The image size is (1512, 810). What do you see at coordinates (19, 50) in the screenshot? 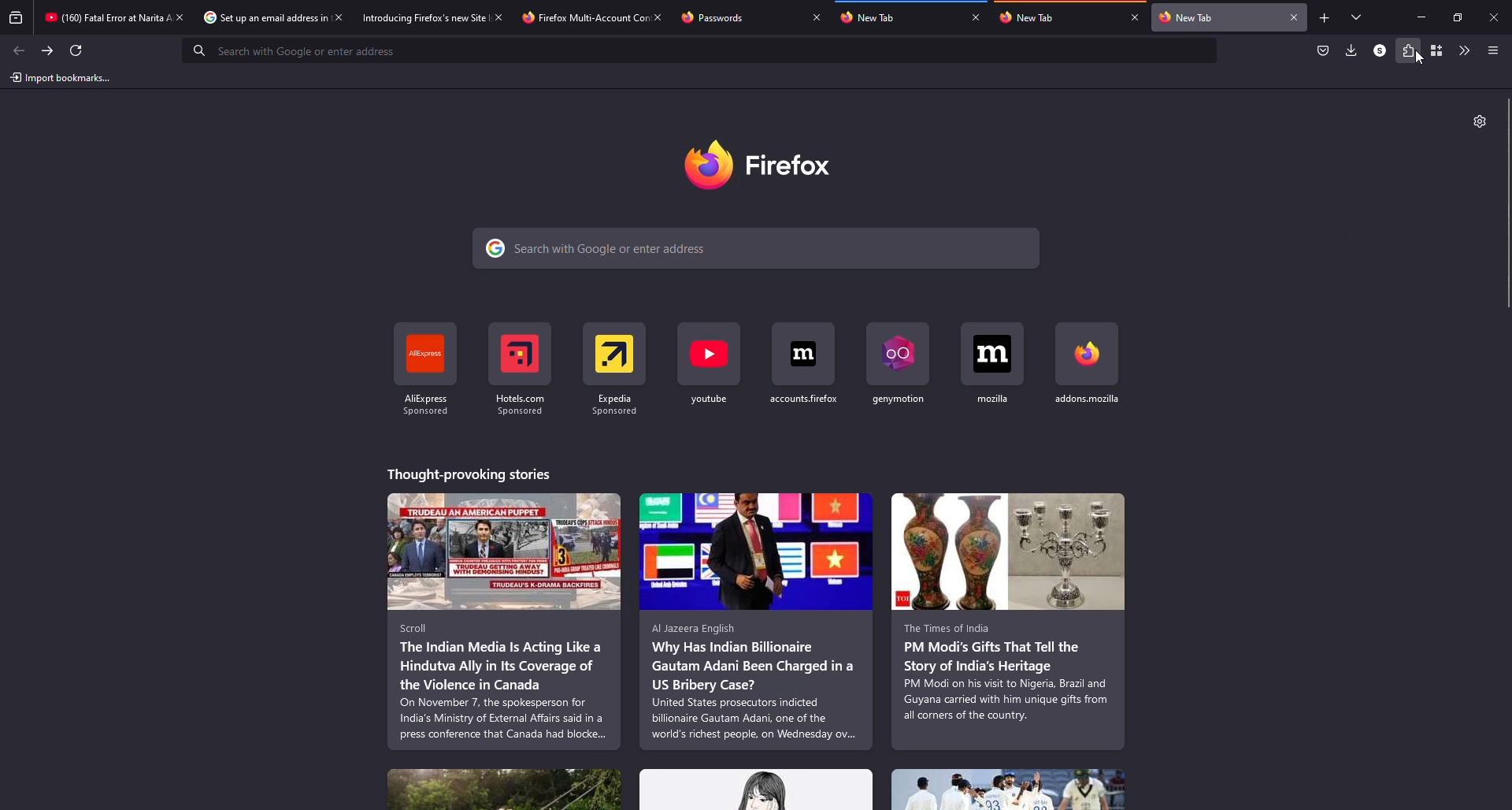
I see `back` at bounding box center [19, 50].